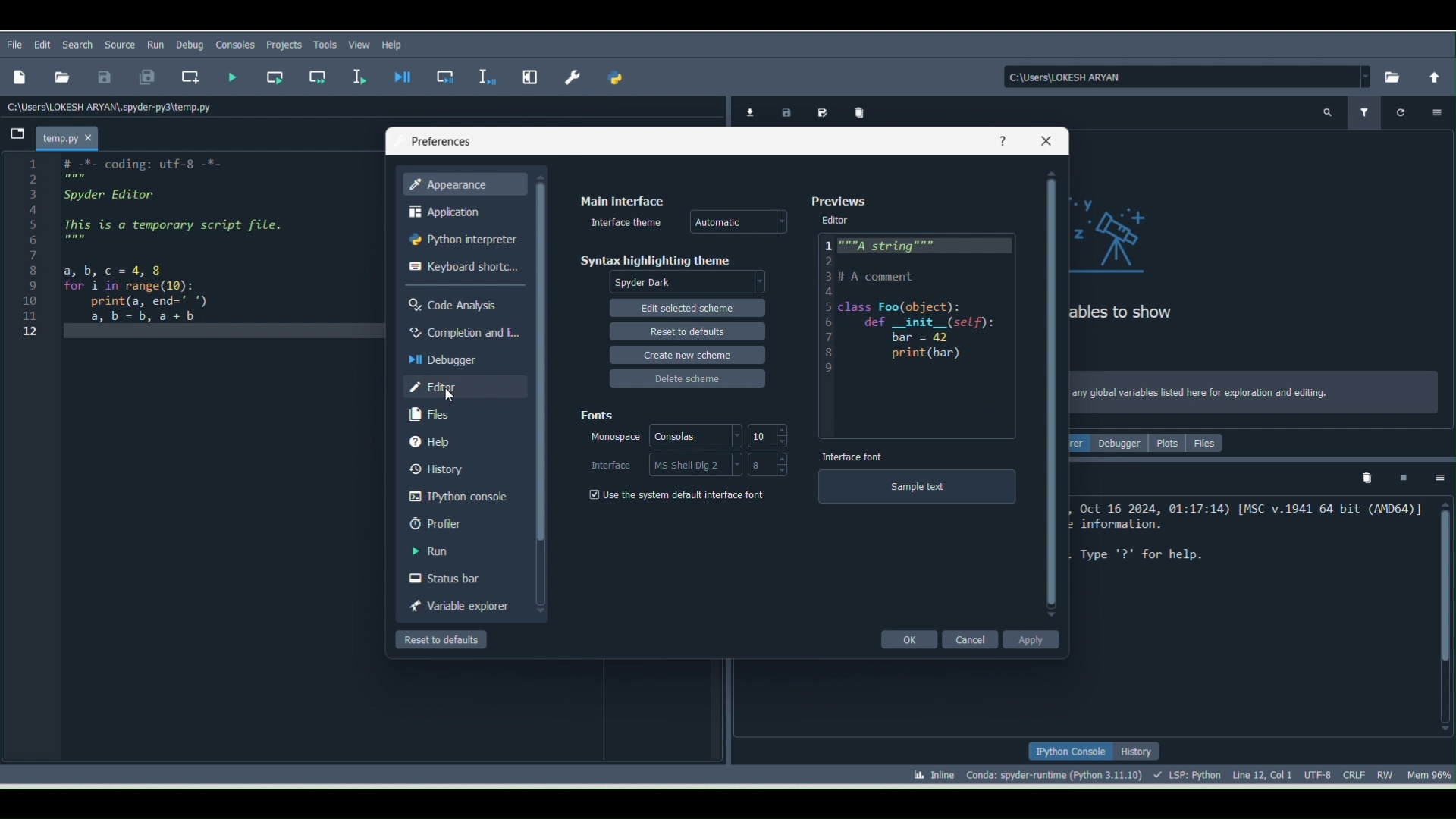  I want to click on Apply, so click(1037, 641).